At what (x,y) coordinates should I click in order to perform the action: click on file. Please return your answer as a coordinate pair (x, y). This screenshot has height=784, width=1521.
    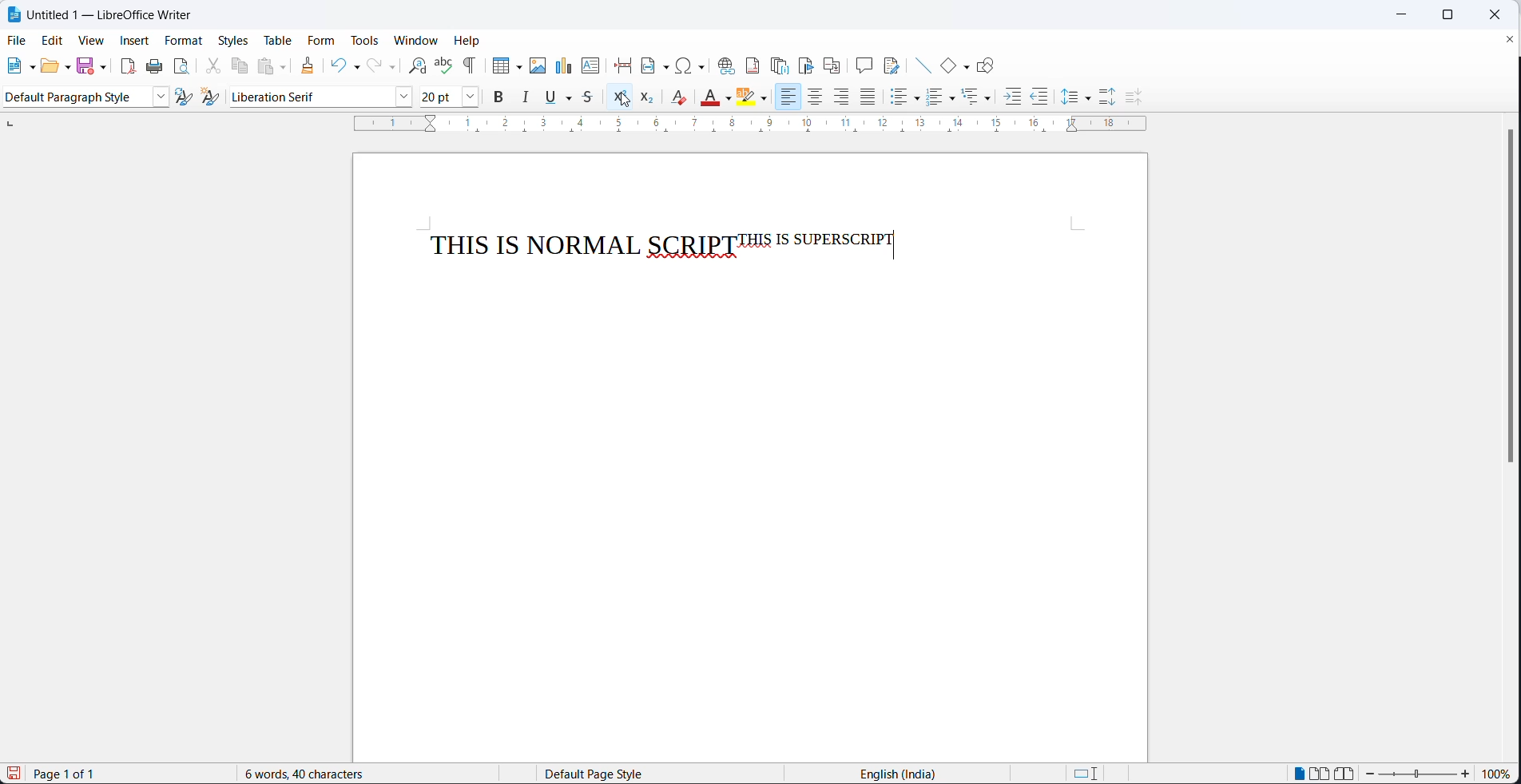
    Looking at the image, I should click on (18, 40).